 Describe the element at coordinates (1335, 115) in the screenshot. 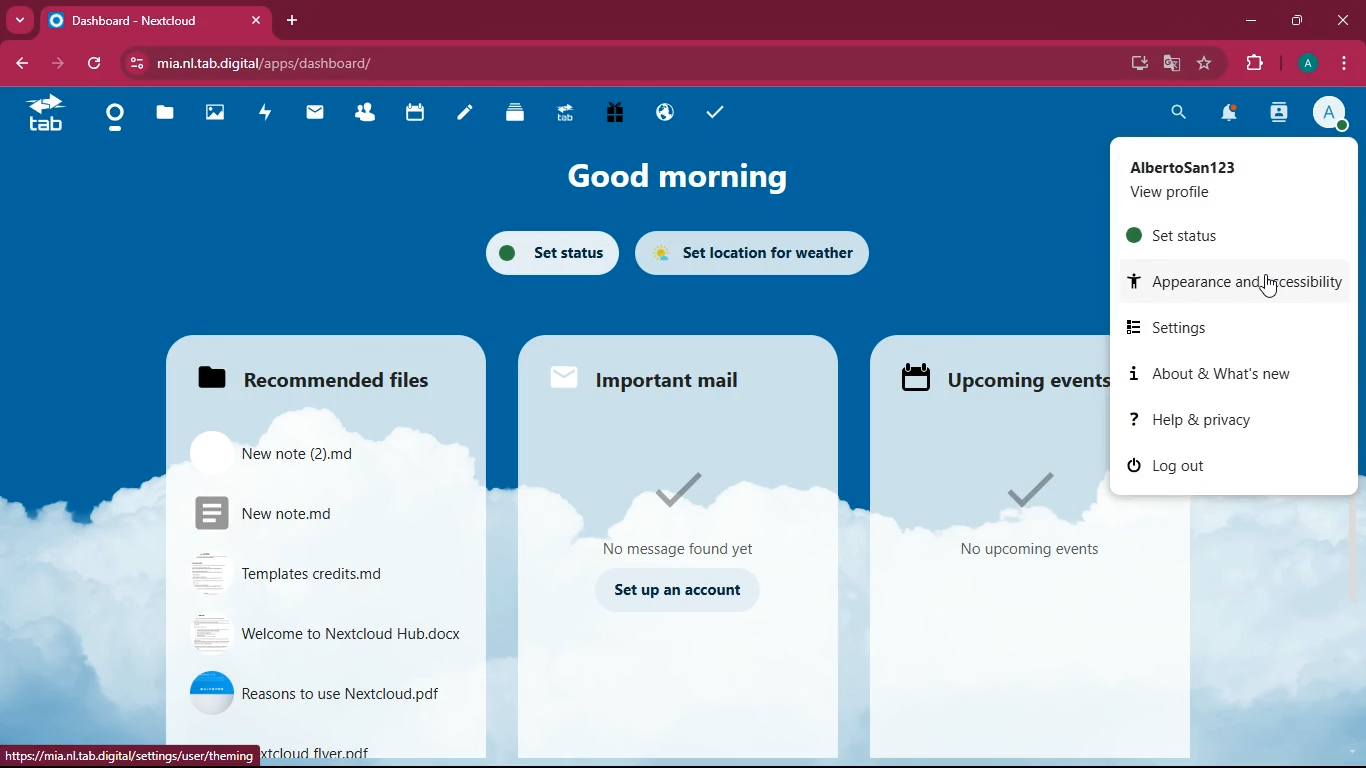

I see `profile` at that location.